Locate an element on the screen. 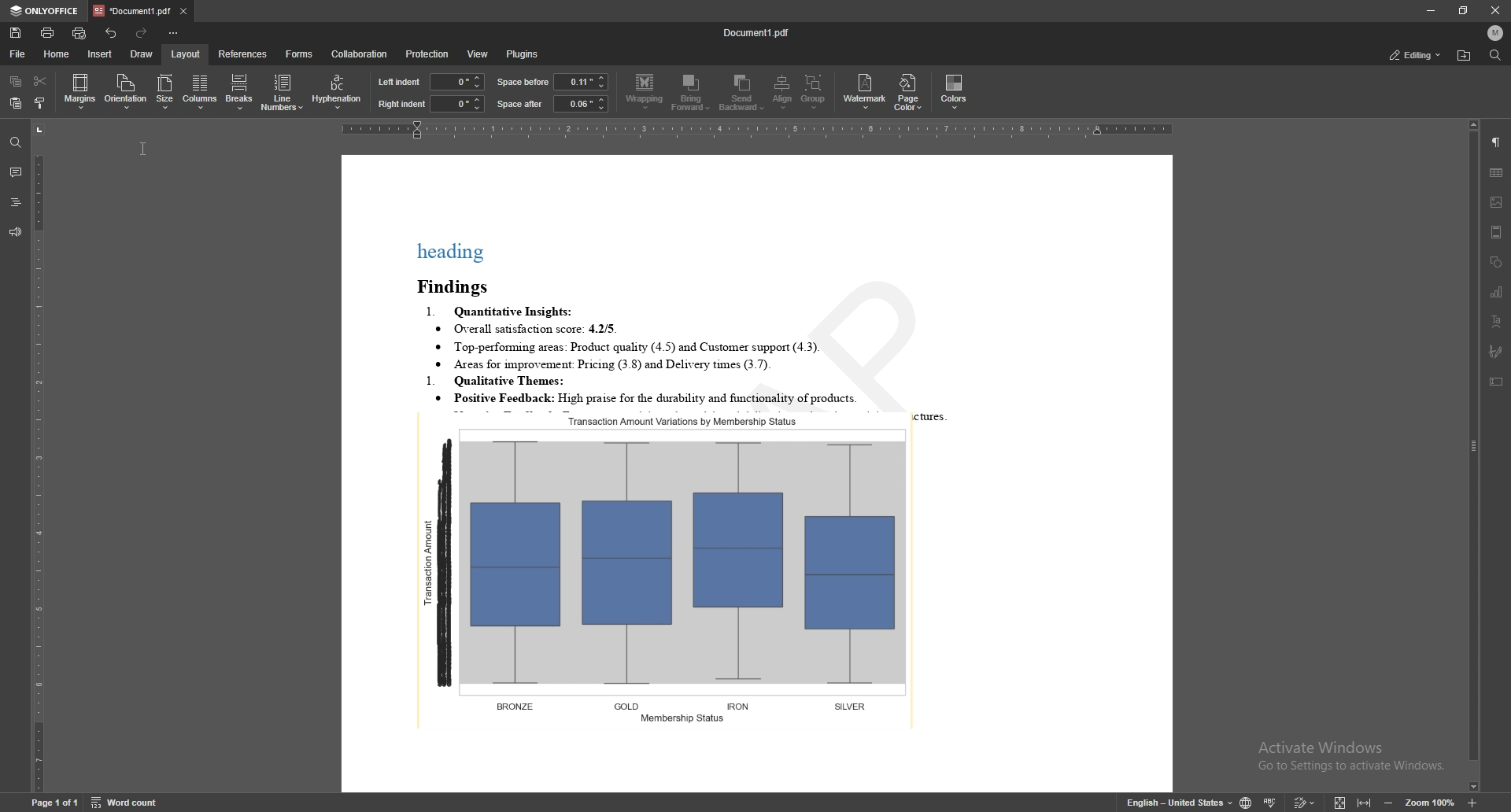  wrapping is located at coordinates (645, 92).